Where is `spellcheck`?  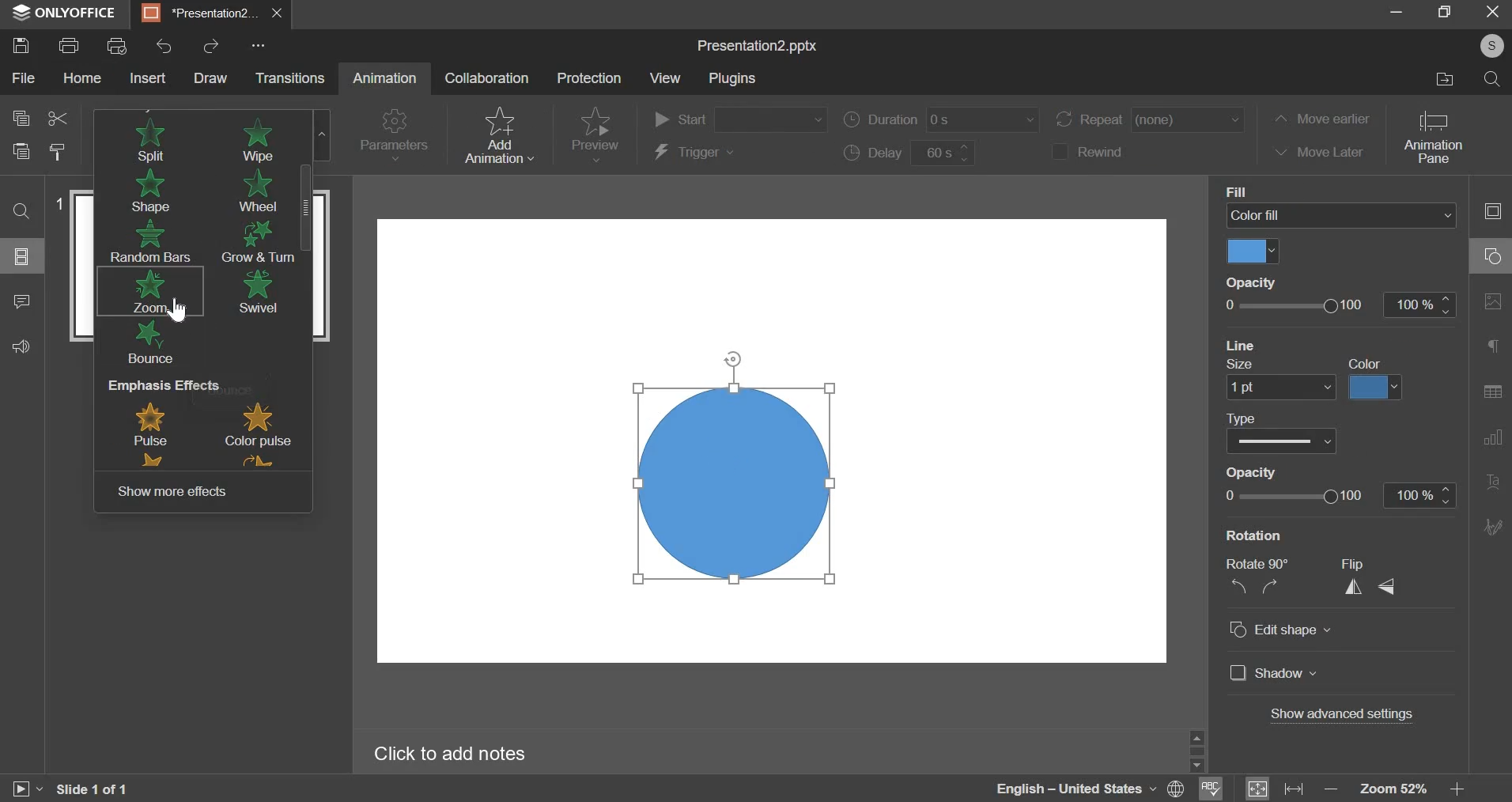
spellcheck is located at coordinates (1212, 786).